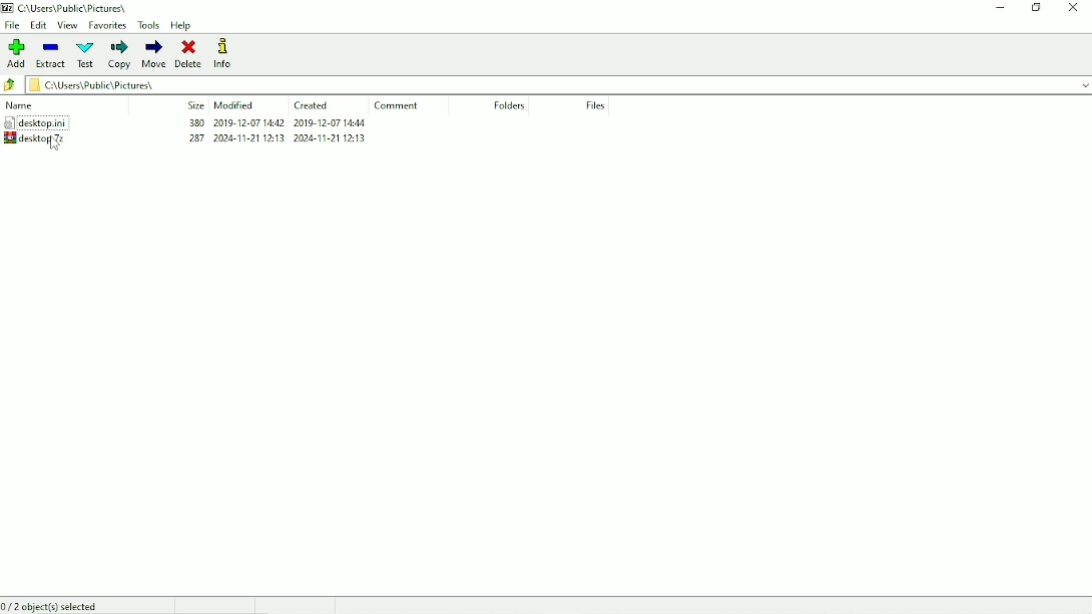  Describe the element at coordinates (313, 106) in the screenshot. I see `Created` at that location.